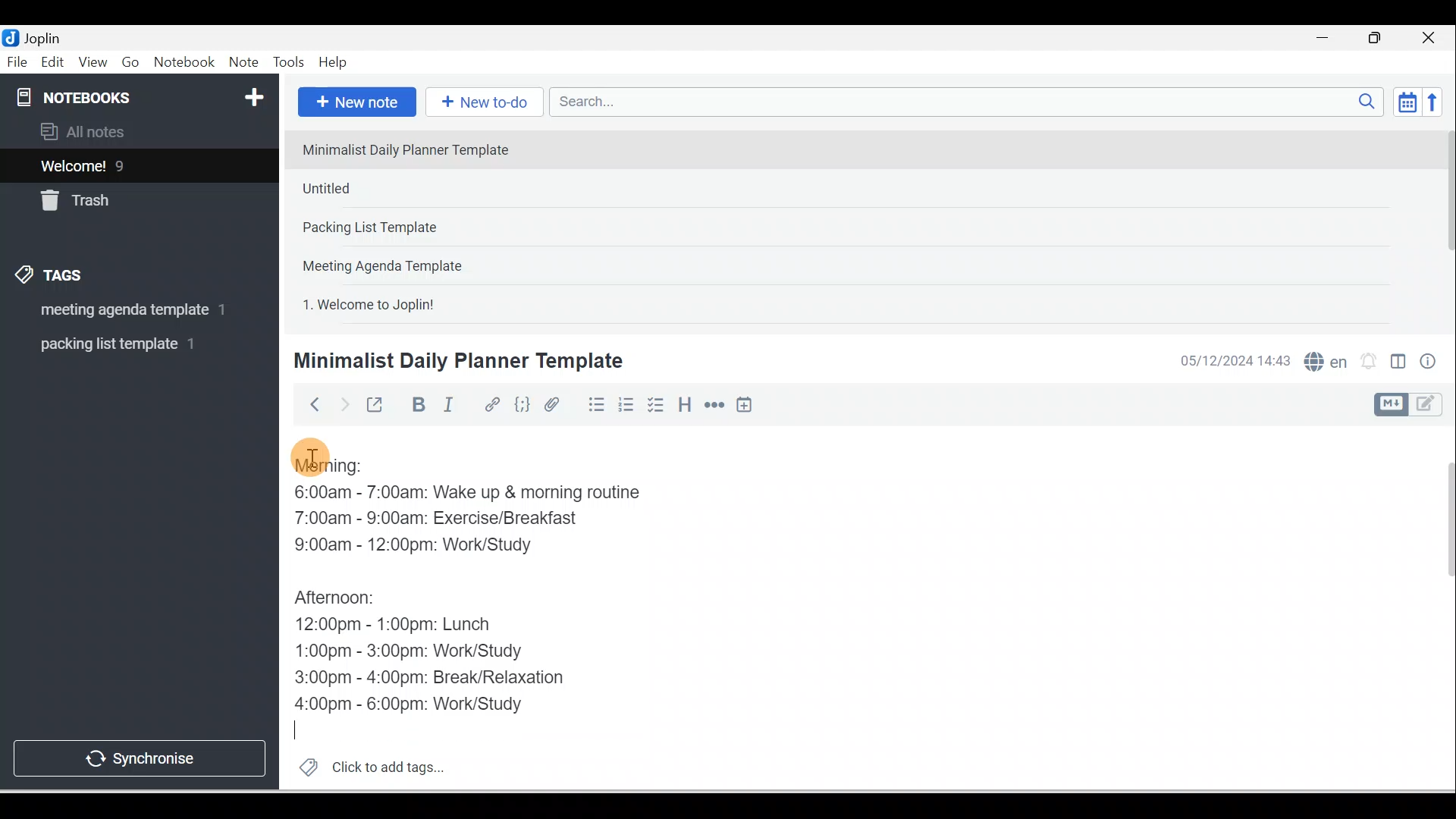 This screenshot has width=1456, height=819. What do you see at coordinates (133, 63) in the screenshot?
I see `Go` at bounding box center [133, 63].